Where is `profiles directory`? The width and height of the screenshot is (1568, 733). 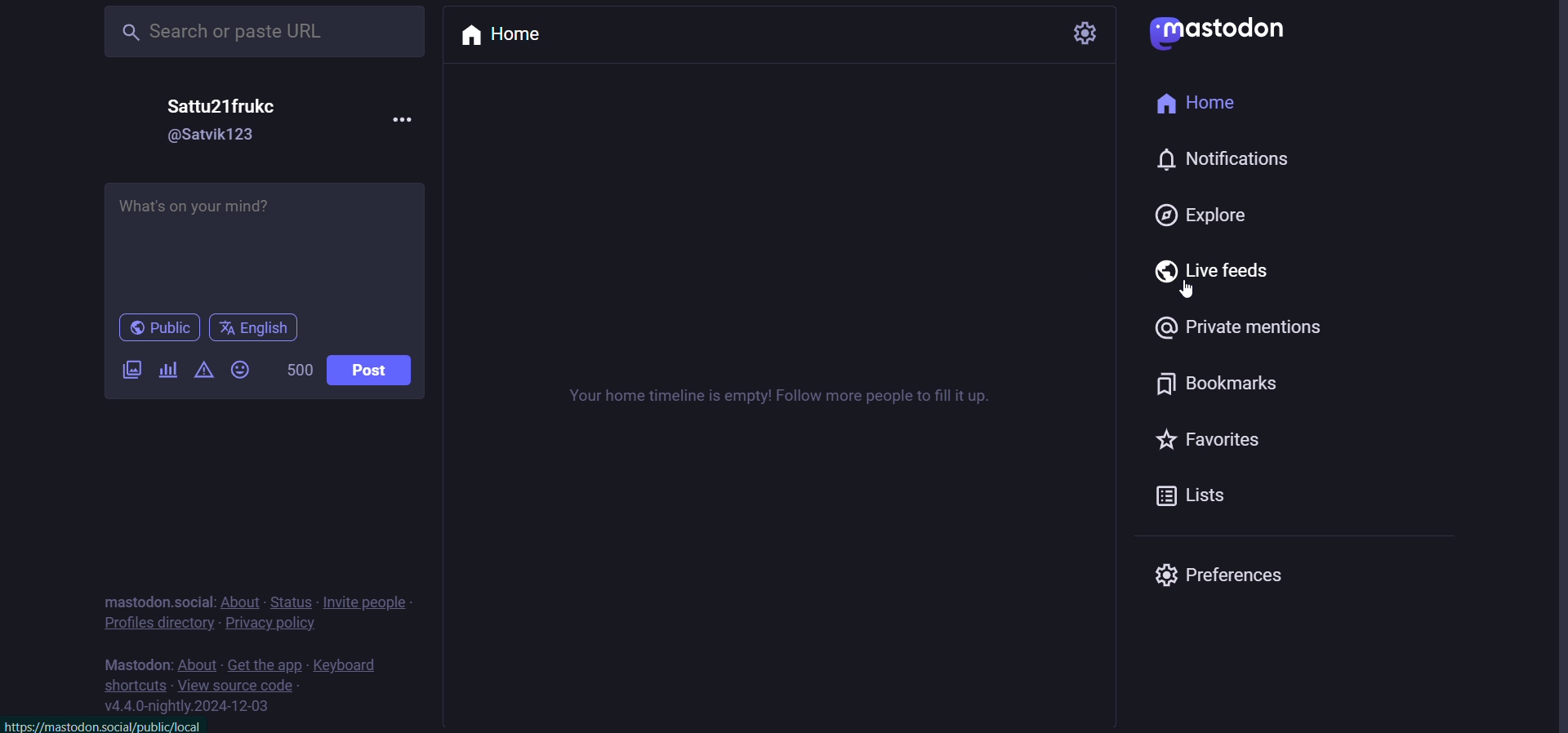
profiles directory is located at coordinates (158, 623).